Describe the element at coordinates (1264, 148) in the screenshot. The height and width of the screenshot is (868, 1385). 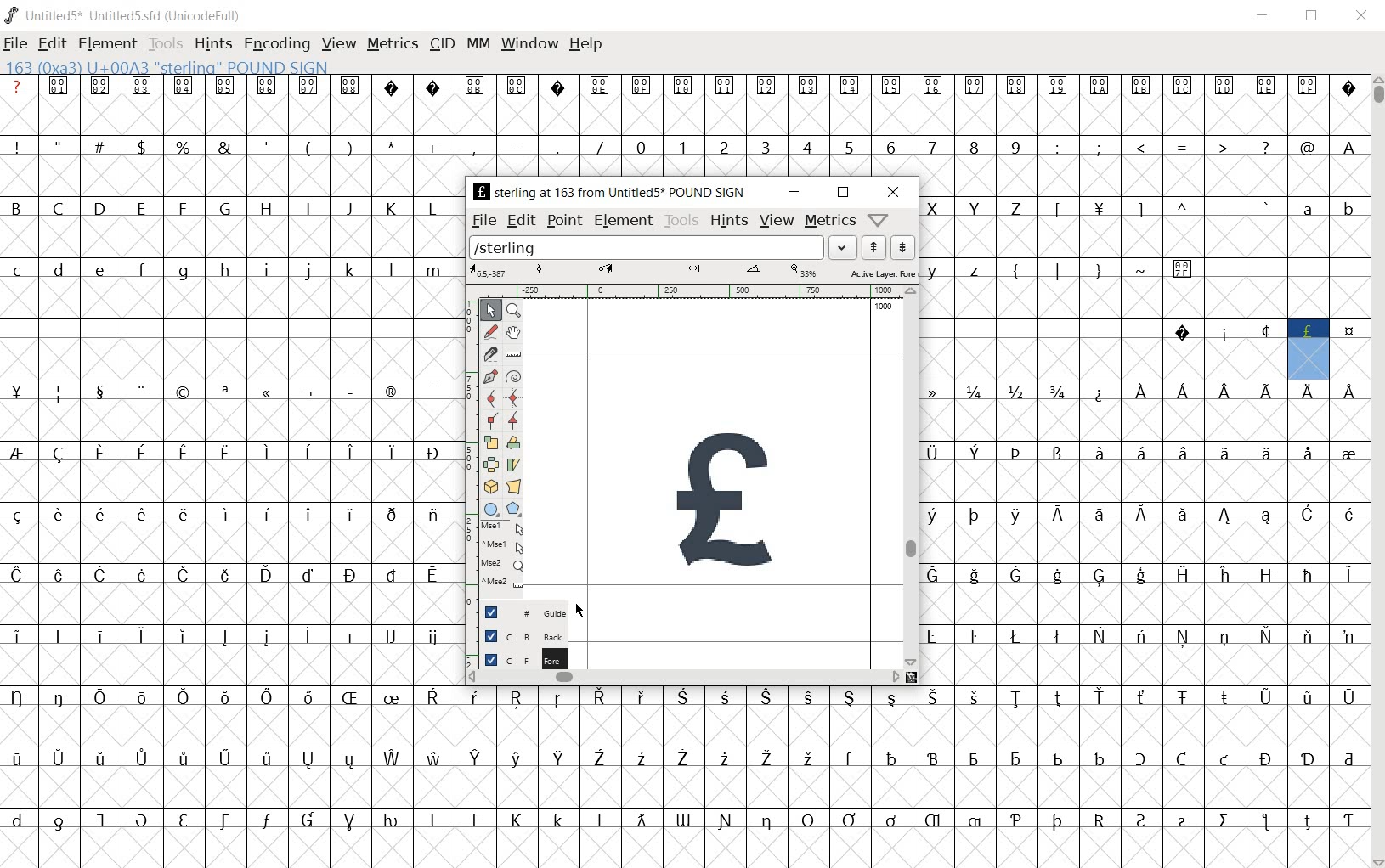
I see `?` at that location.